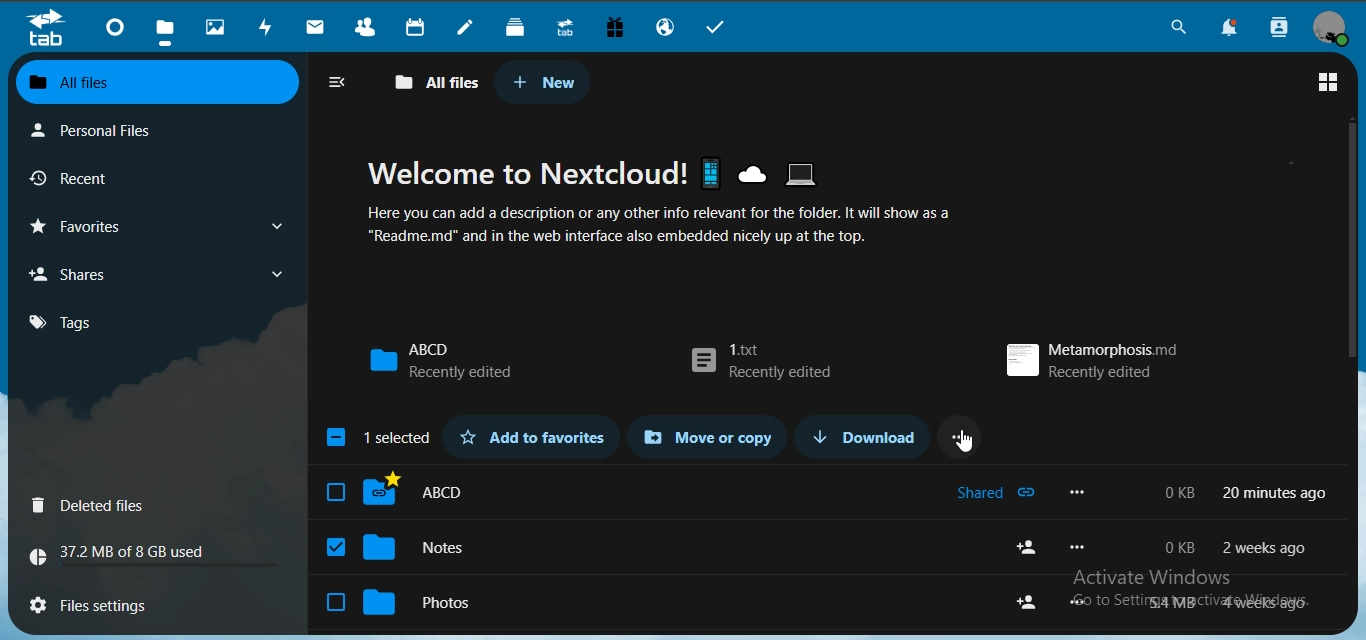 Image resolution: width=1366 pixels, height=640 pixels. What do you see at coordinates (158, 272) in the screenshot?
I see `shares` at bounding box center [158, 272].